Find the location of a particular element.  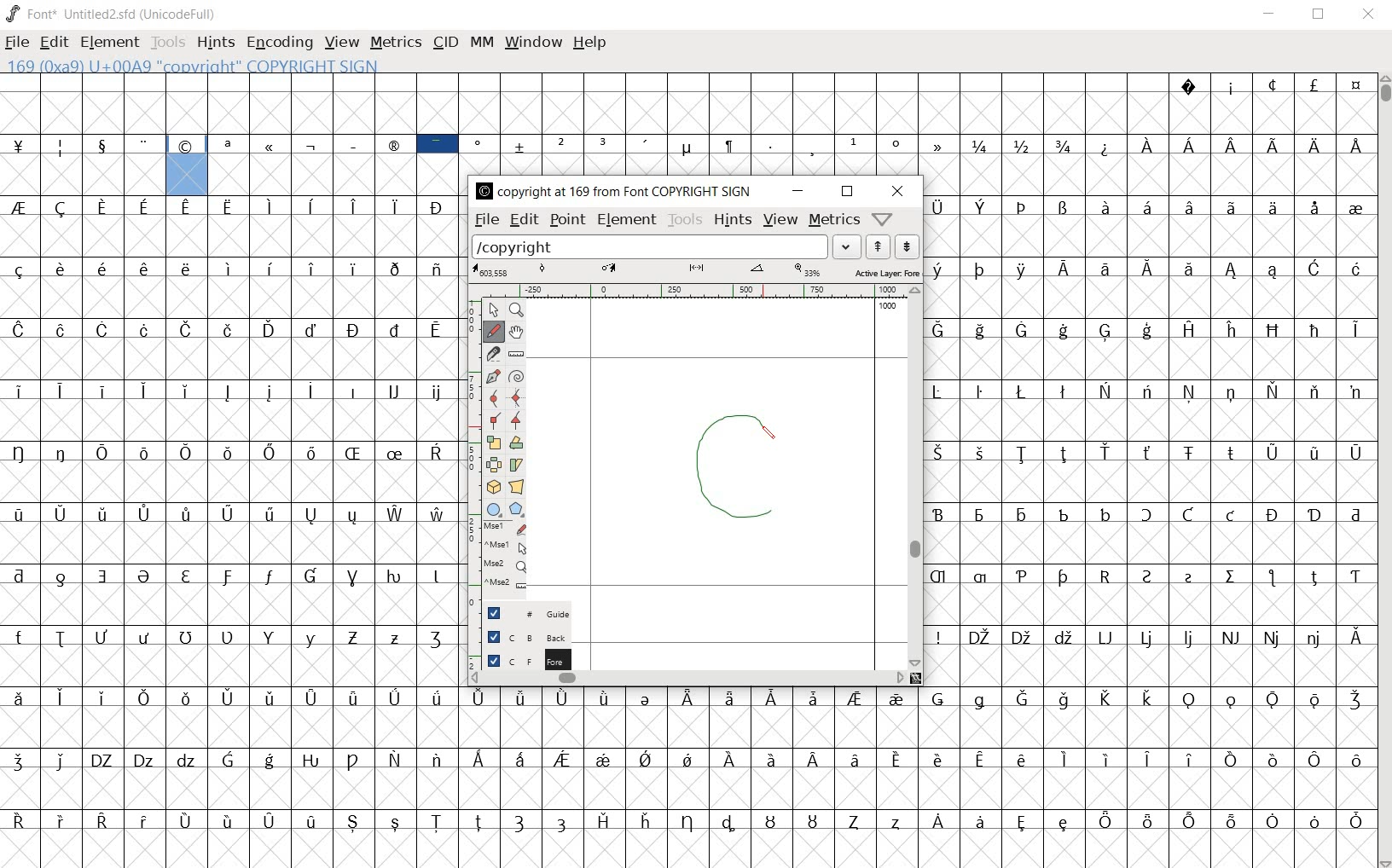

Rotate the selection is located at coordinates (518, 464).